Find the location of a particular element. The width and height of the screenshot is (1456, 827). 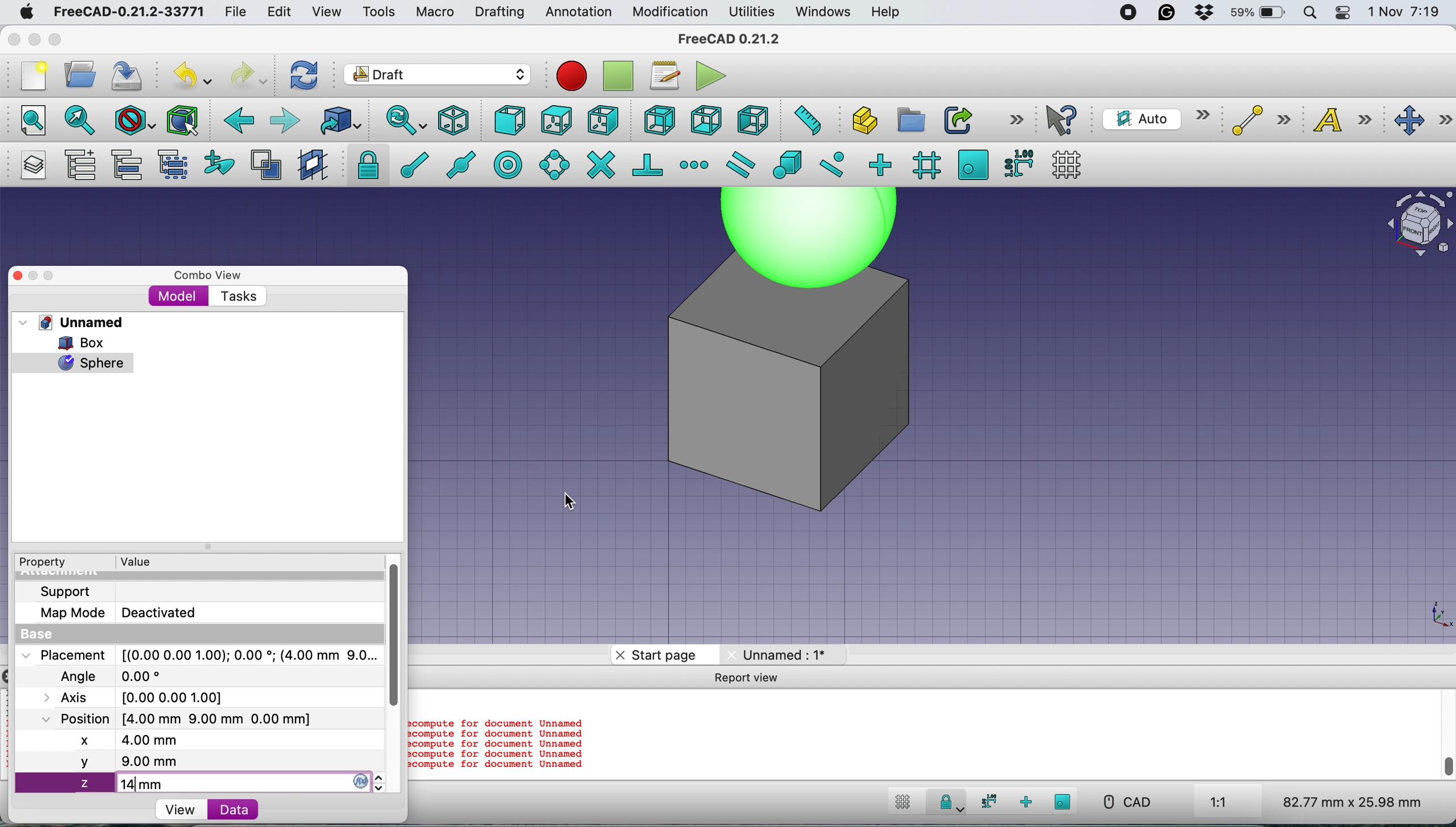

new is located at coordinates (30, 76).